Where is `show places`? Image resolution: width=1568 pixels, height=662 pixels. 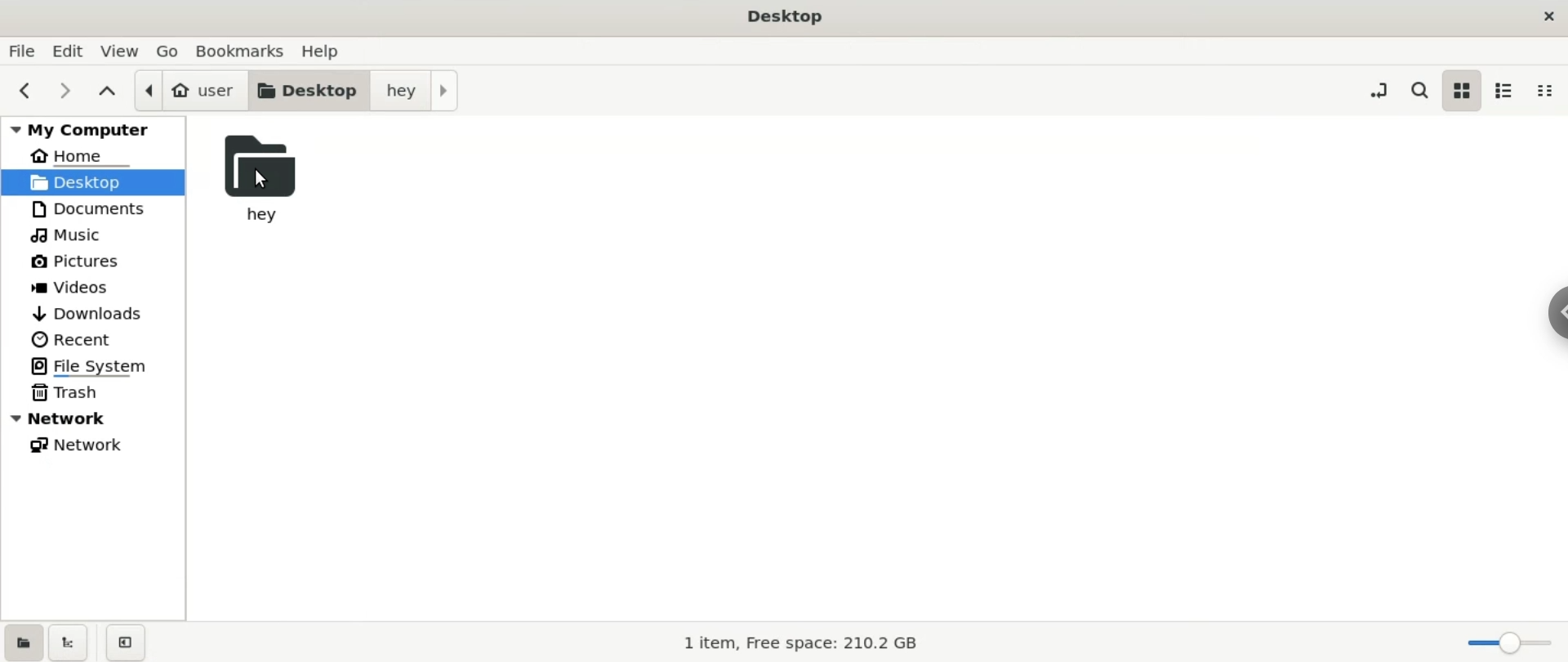 show places is located at coordinates (22, 642).